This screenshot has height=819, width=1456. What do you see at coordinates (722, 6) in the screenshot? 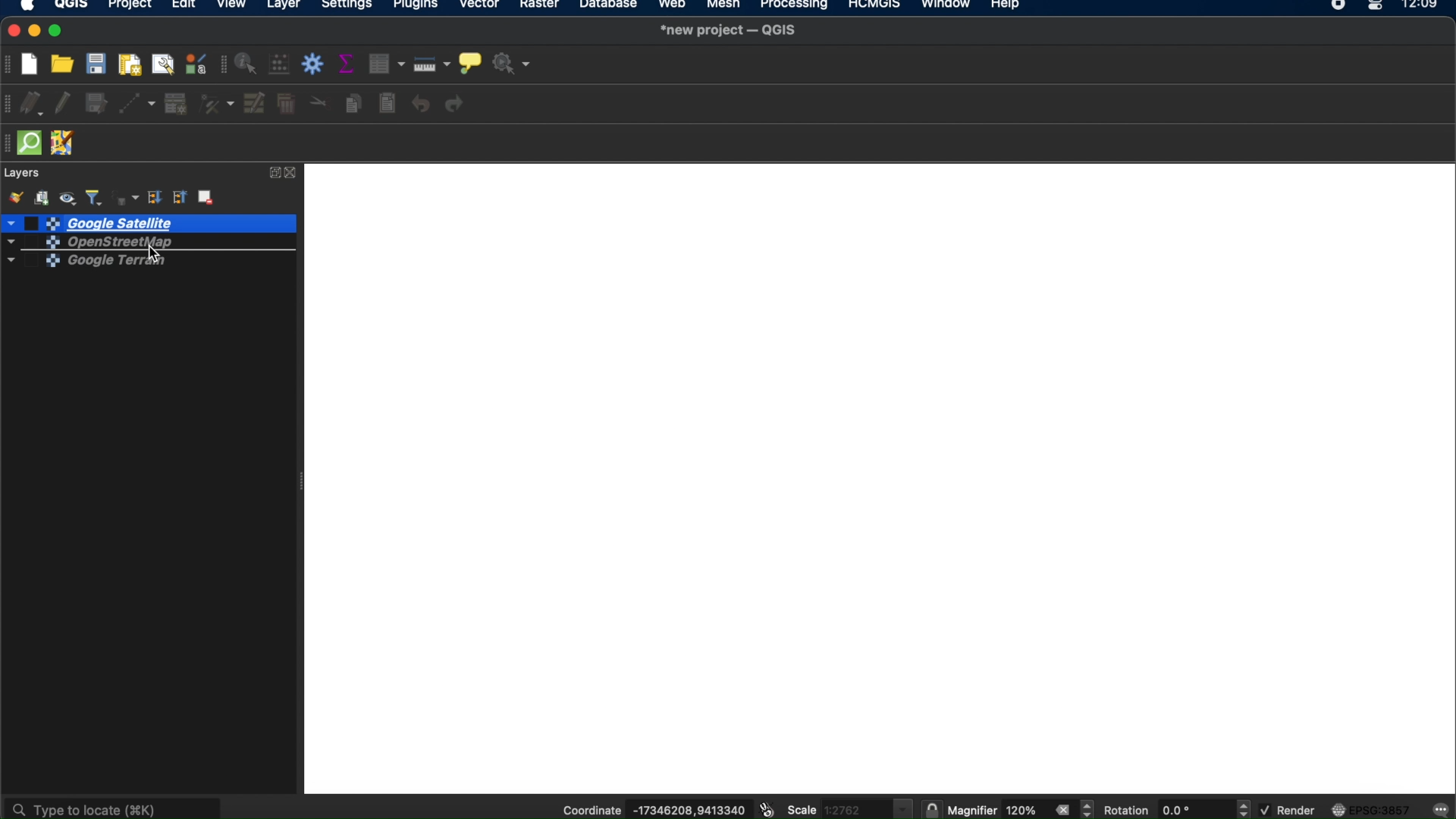
I see `mesh` at bounding box center [722, 6].